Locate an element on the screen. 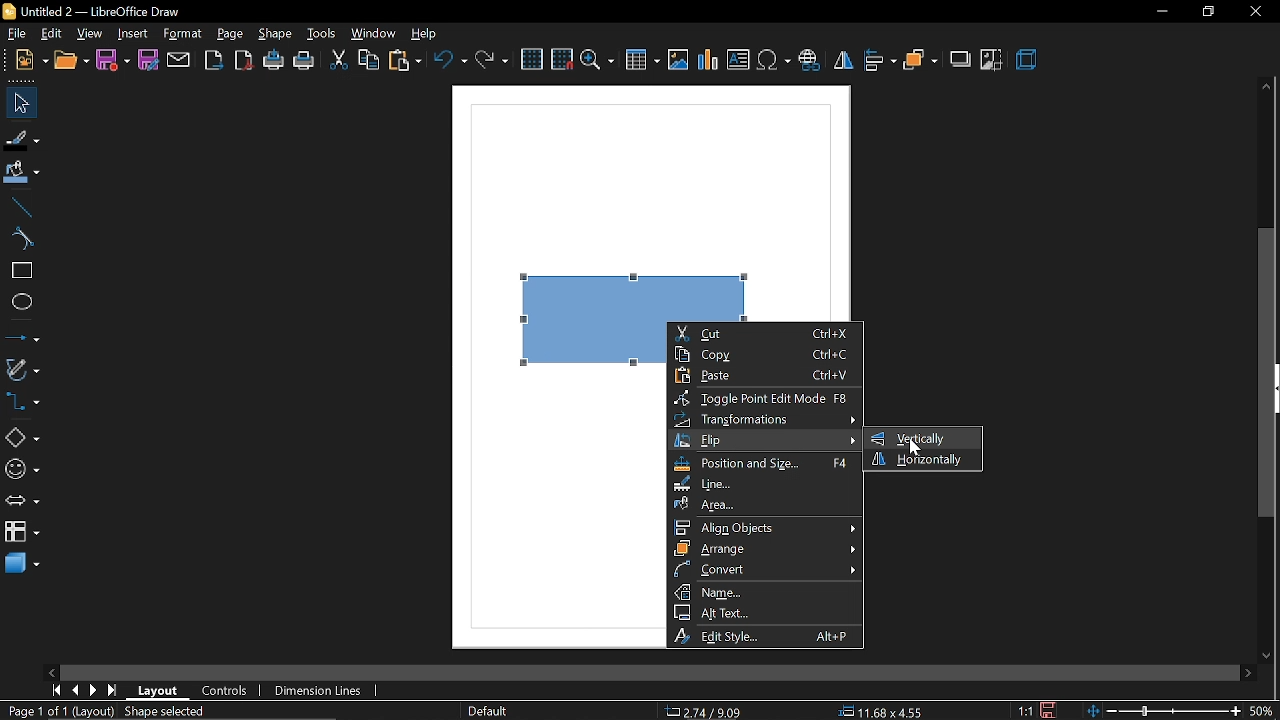 The height and width of the screenshot is (720, 1280). cut is located at coordinates (338, 61).